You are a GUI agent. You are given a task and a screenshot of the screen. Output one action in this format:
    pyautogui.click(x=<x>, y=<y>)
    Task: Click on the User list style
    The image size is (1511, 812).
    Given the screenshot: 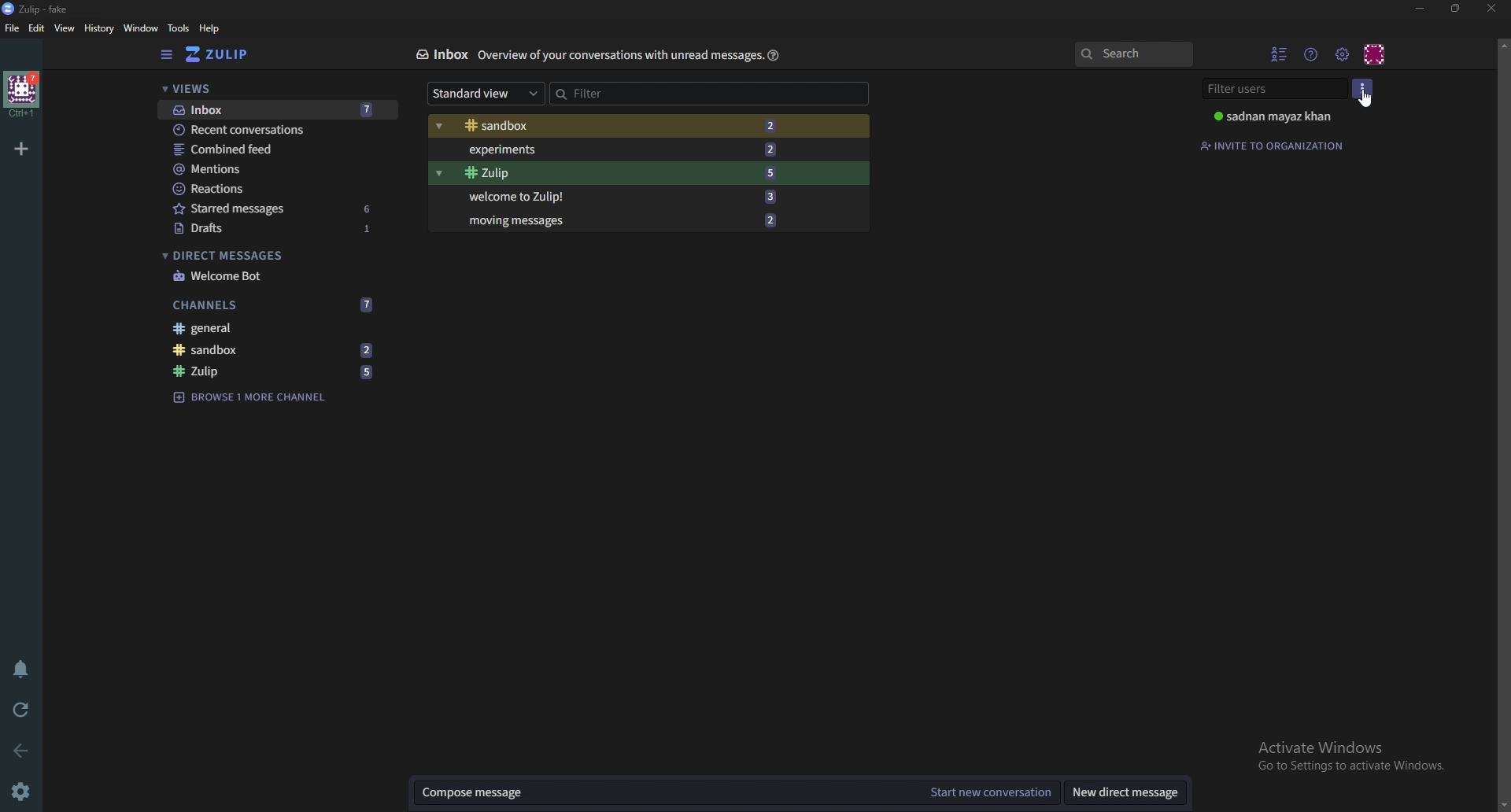 What is the action you would take?
    pyautogui.click(x=1365, y=90)
    